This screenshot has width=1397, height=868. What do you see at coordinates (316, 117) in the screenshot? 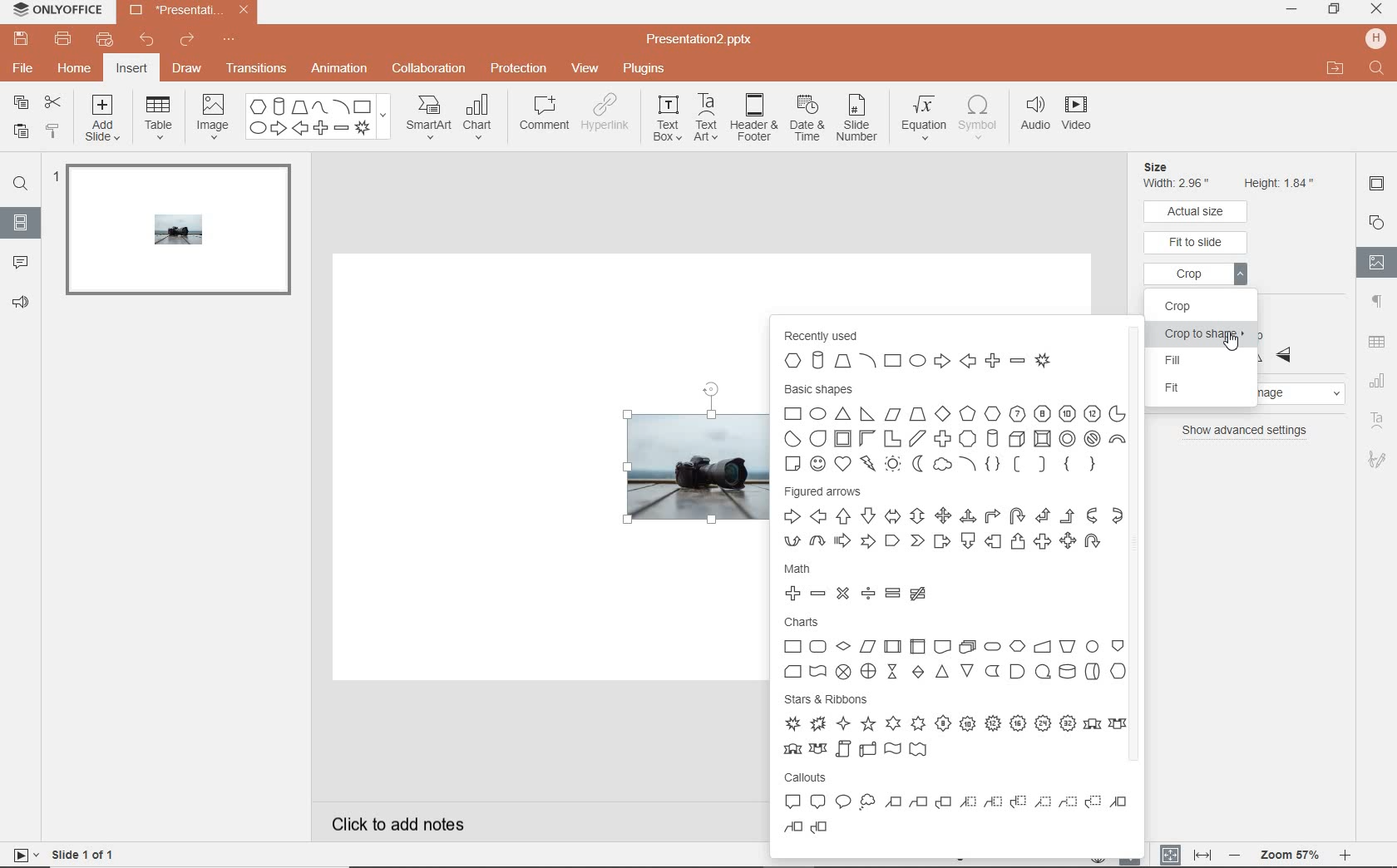
I see `shapes` at bounding box center [316, 117].